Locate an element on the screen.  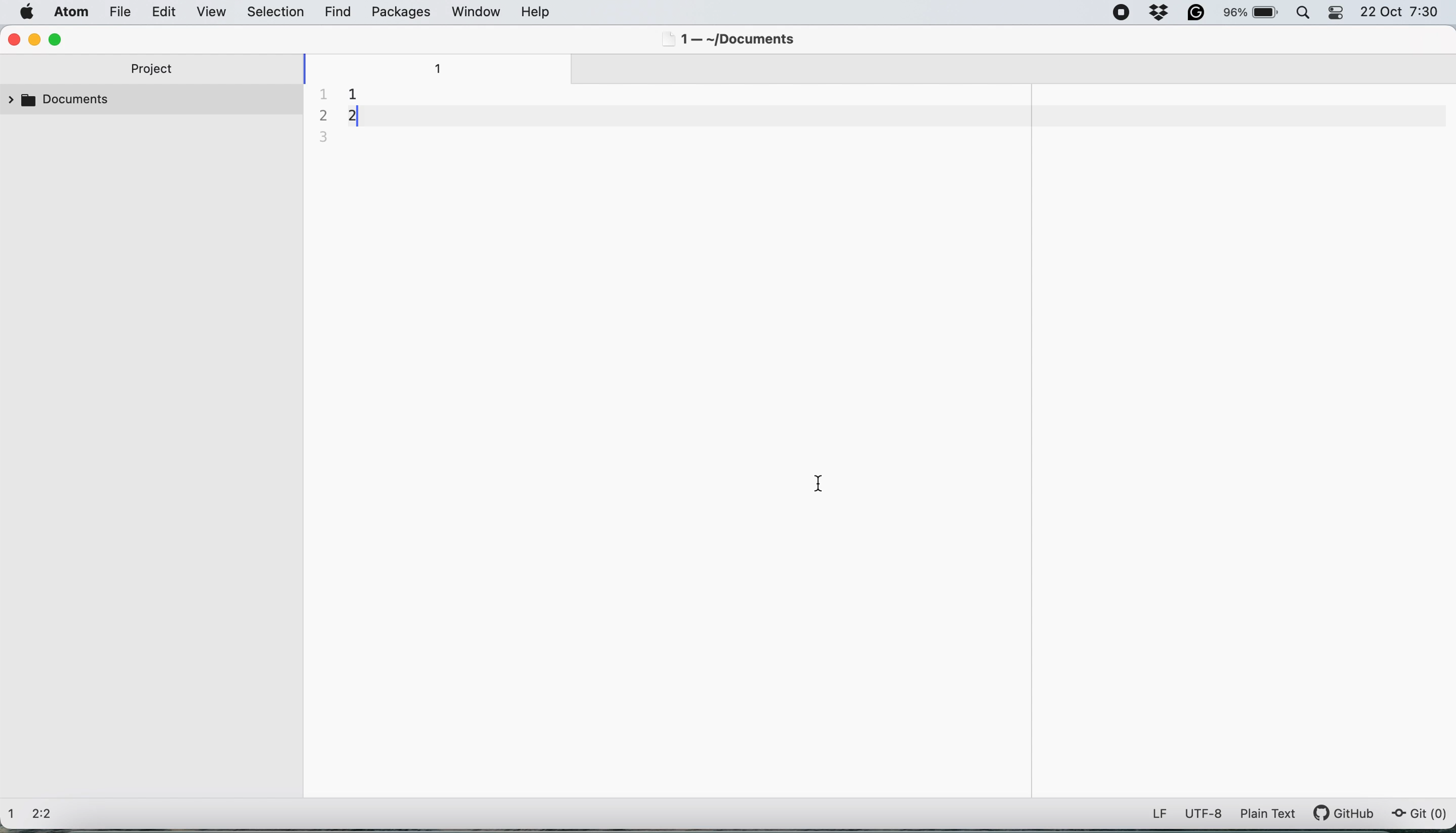
spotlight search is located at coordinates (1303, 14).